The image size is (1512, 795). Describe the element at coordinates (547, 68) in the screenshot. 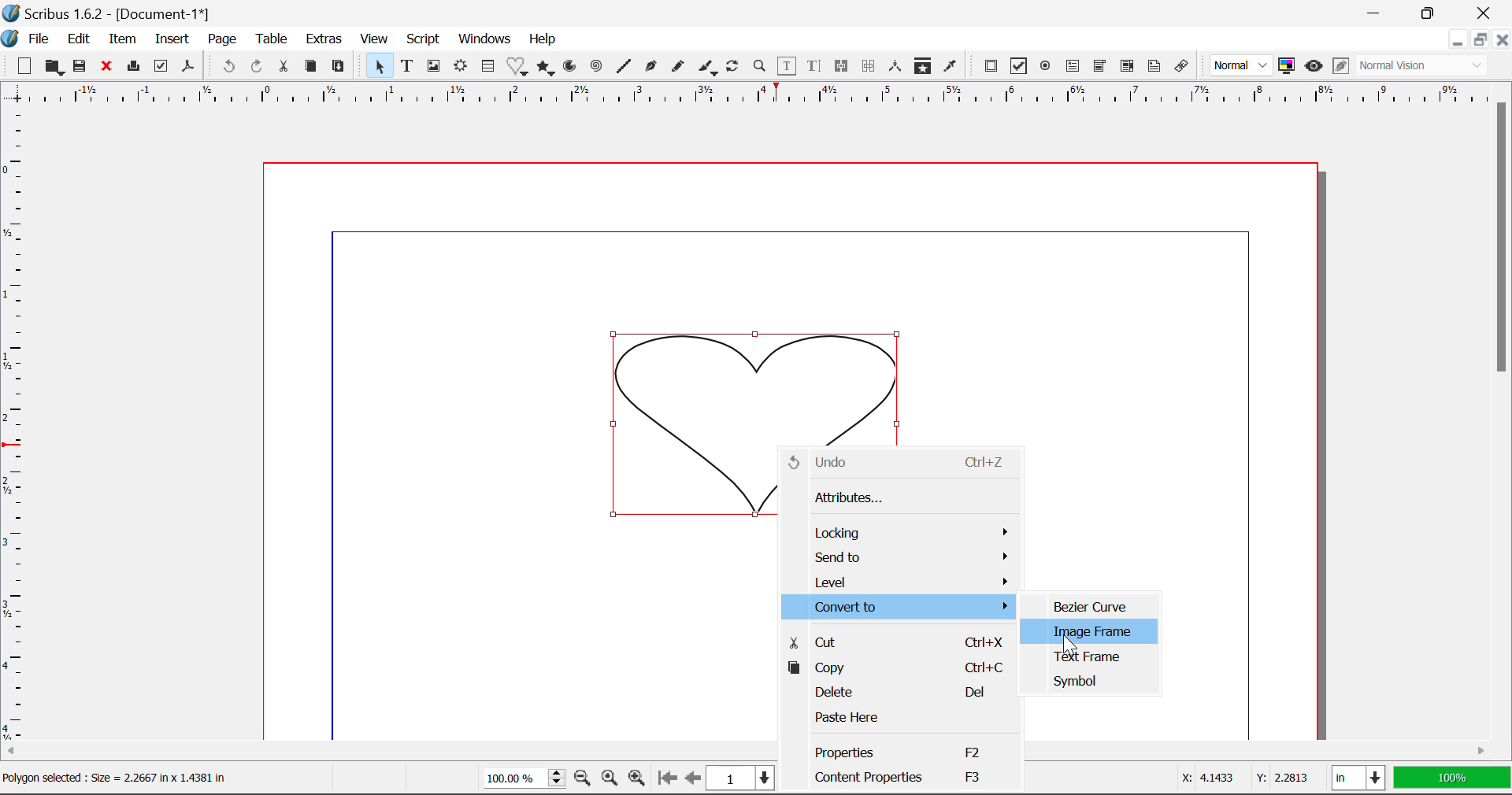

I see `Polygons` at that location.